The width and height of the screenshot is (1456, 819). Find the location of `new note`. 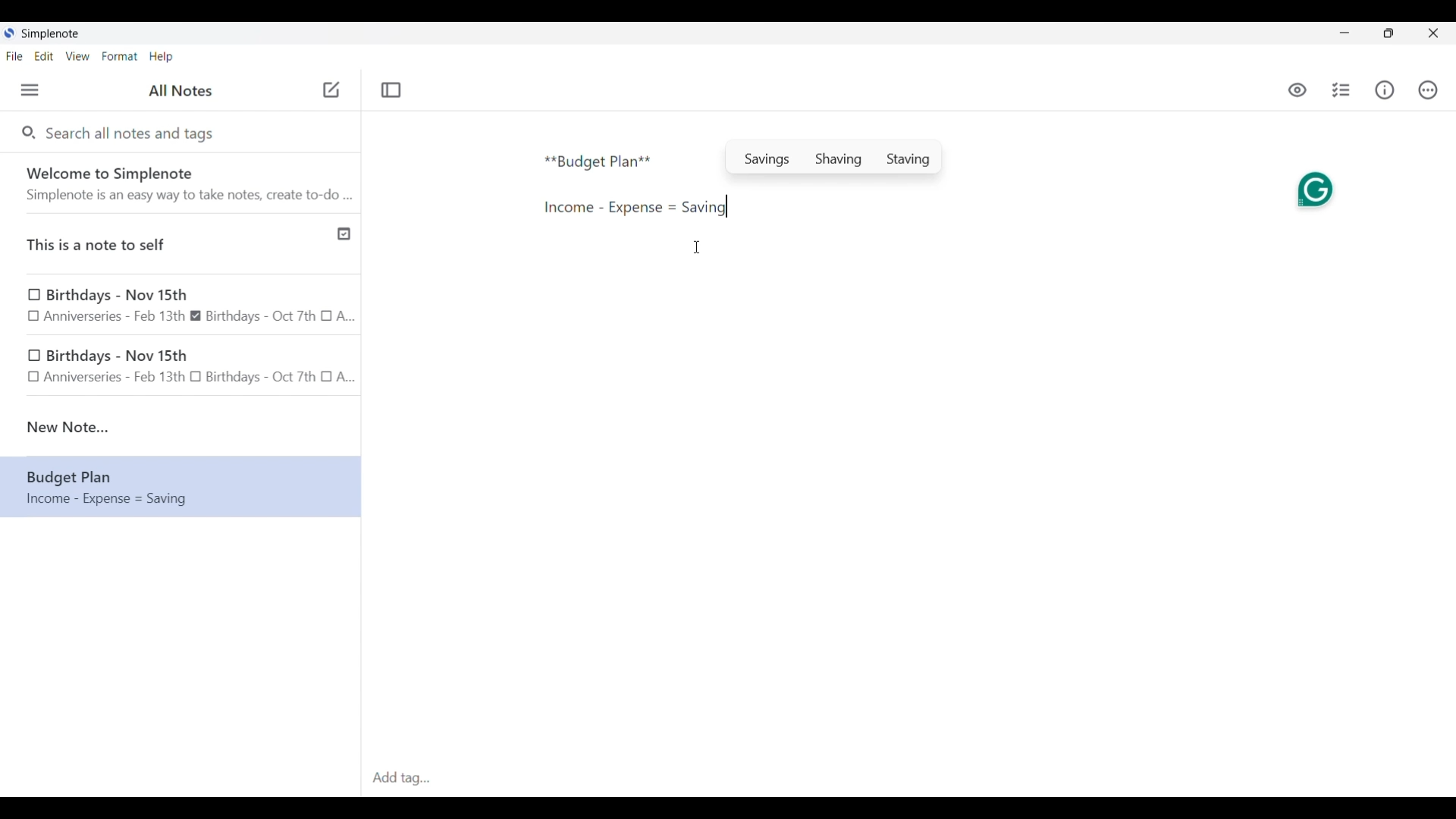

new note is located at coordinates (180, 427).